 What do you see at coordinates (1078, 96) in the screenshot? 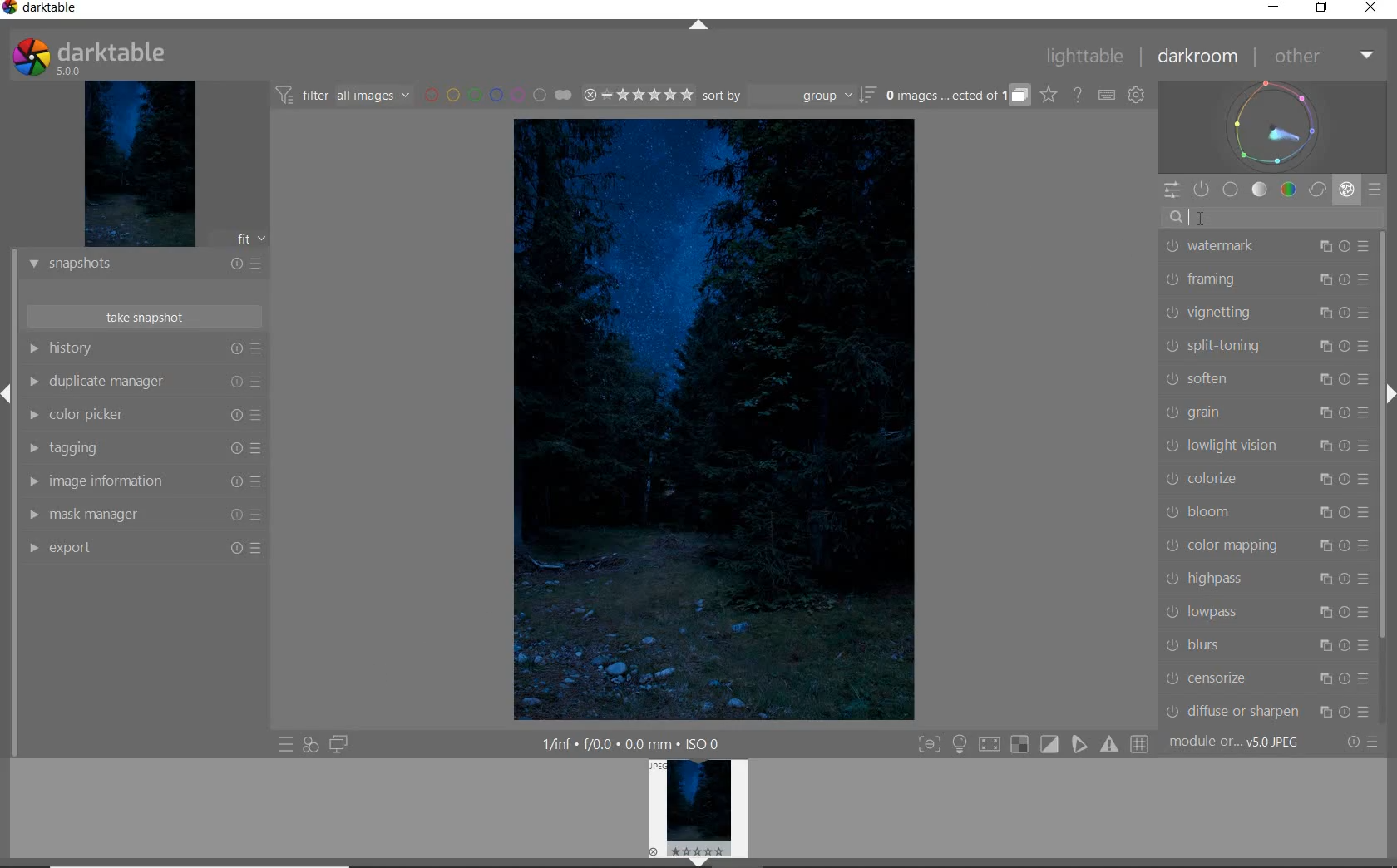
I see `HELP ONLINE` at bounding box center [1078, 96].